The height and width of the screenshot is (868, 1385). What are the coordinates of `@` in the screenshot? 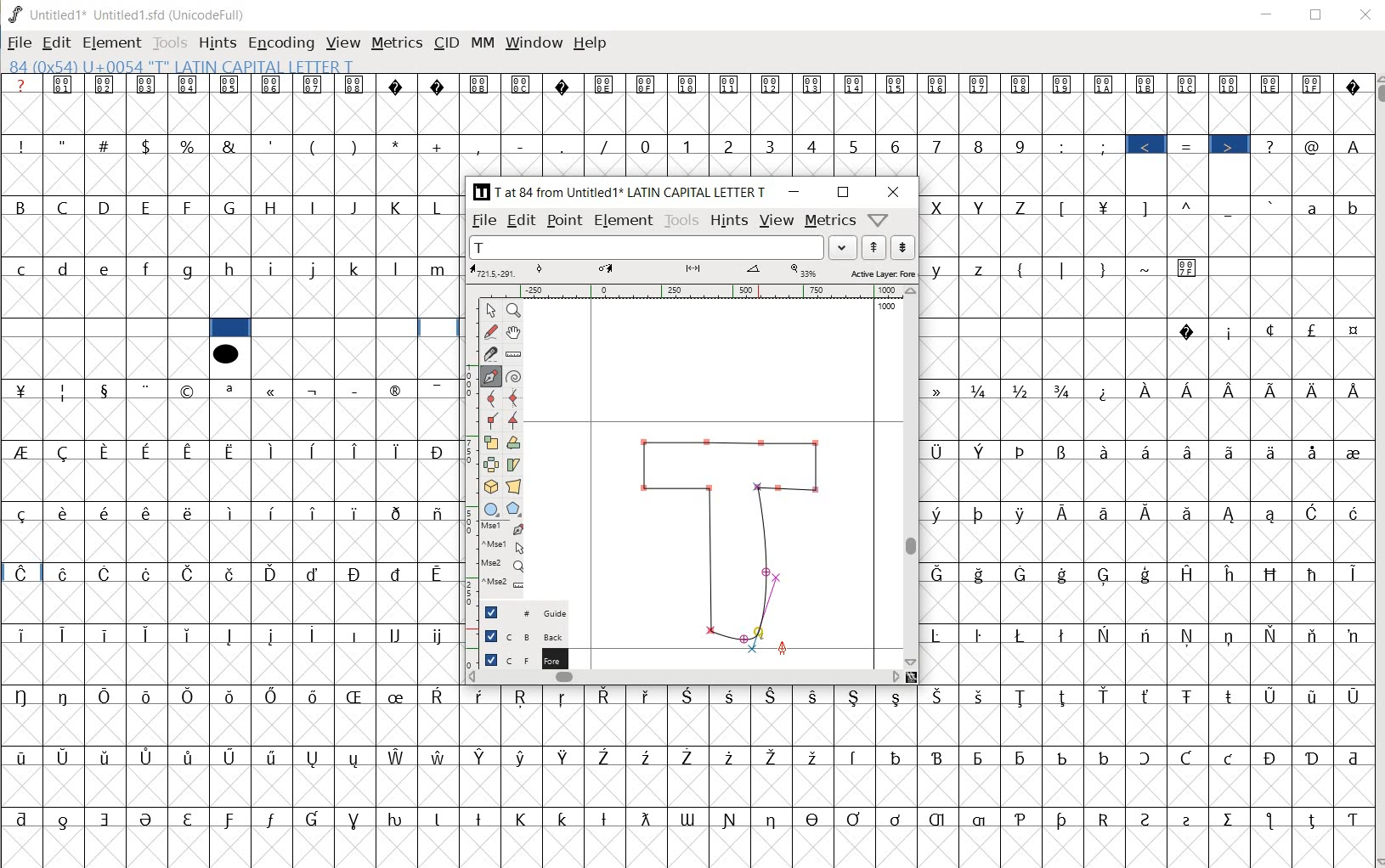 It's located at (1314, 146).